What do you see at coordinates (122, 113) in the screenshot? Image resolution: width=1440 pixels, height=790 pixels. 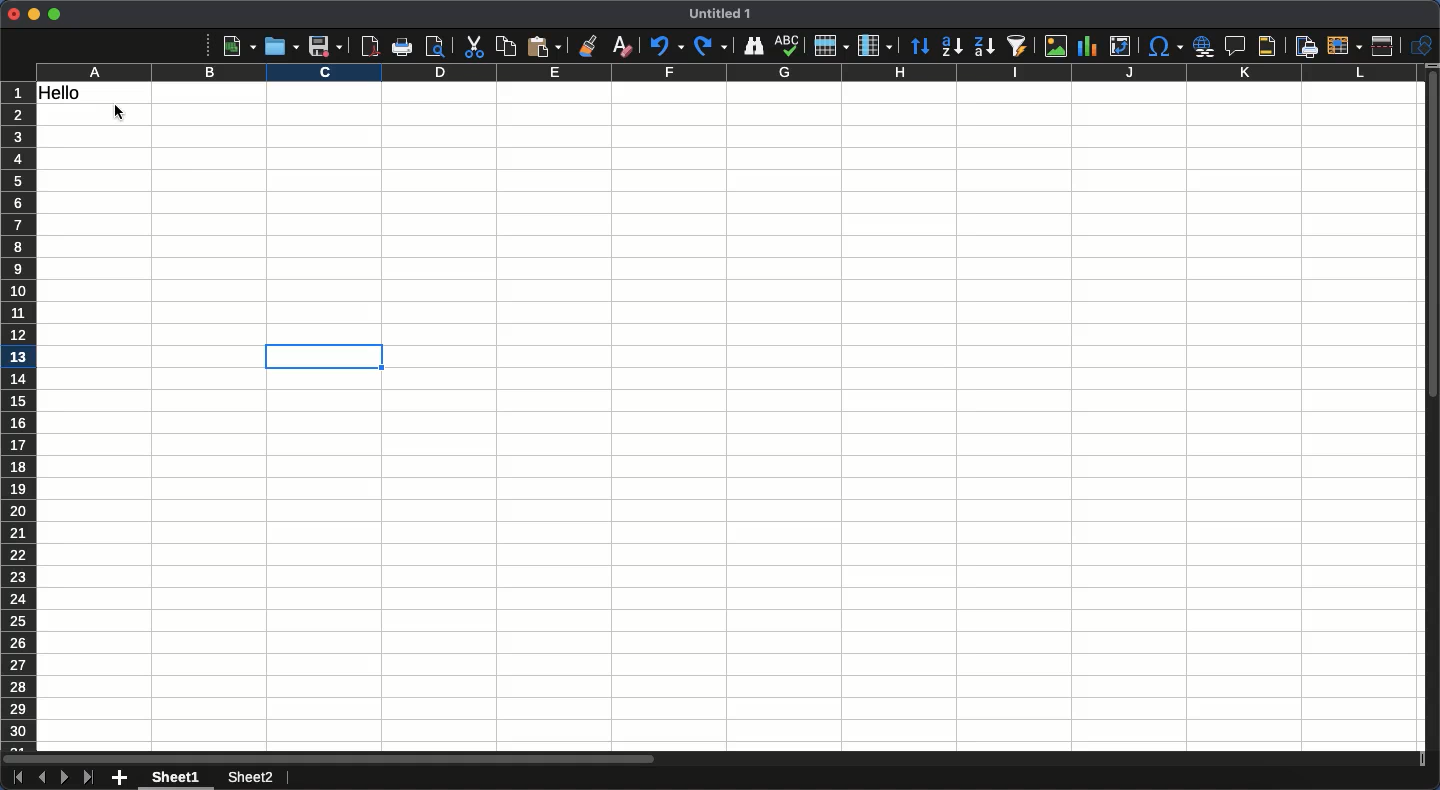 I see `cursor` at bounding box center [122, 113].